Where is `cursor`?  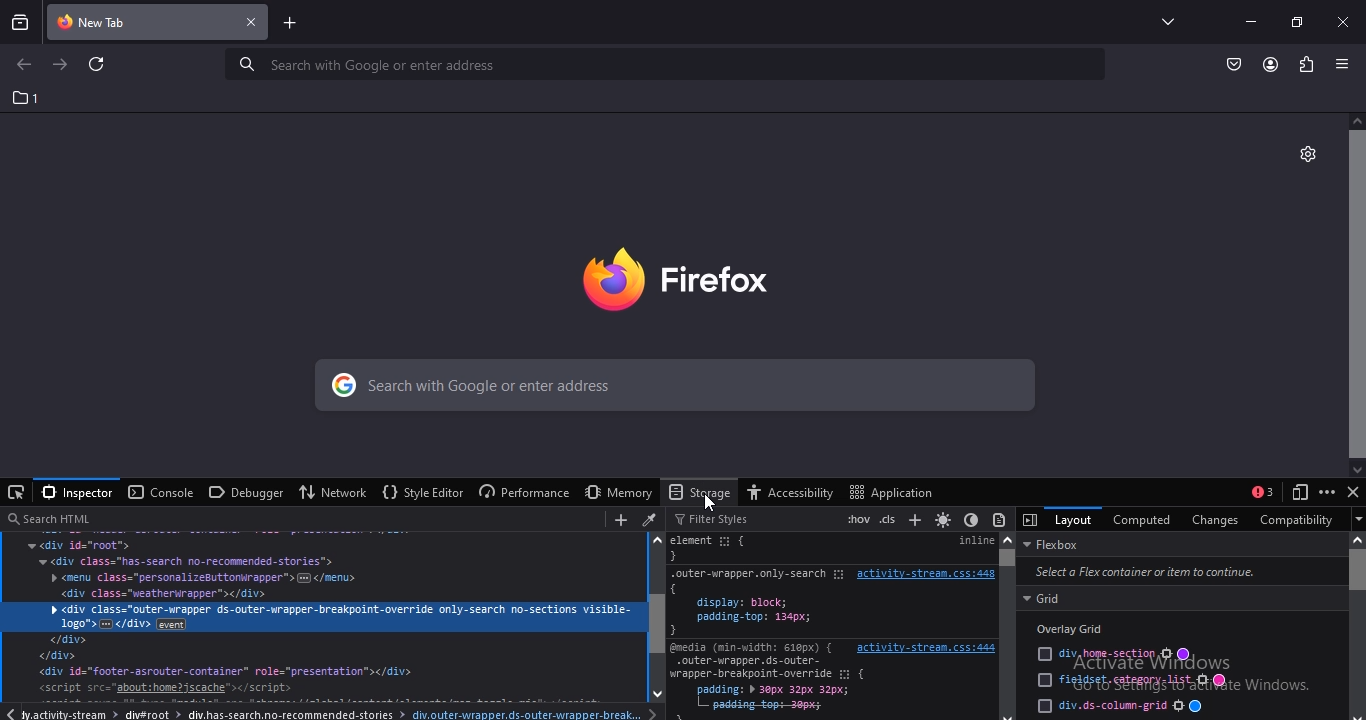 cursor is located at coordinates (711, 502).